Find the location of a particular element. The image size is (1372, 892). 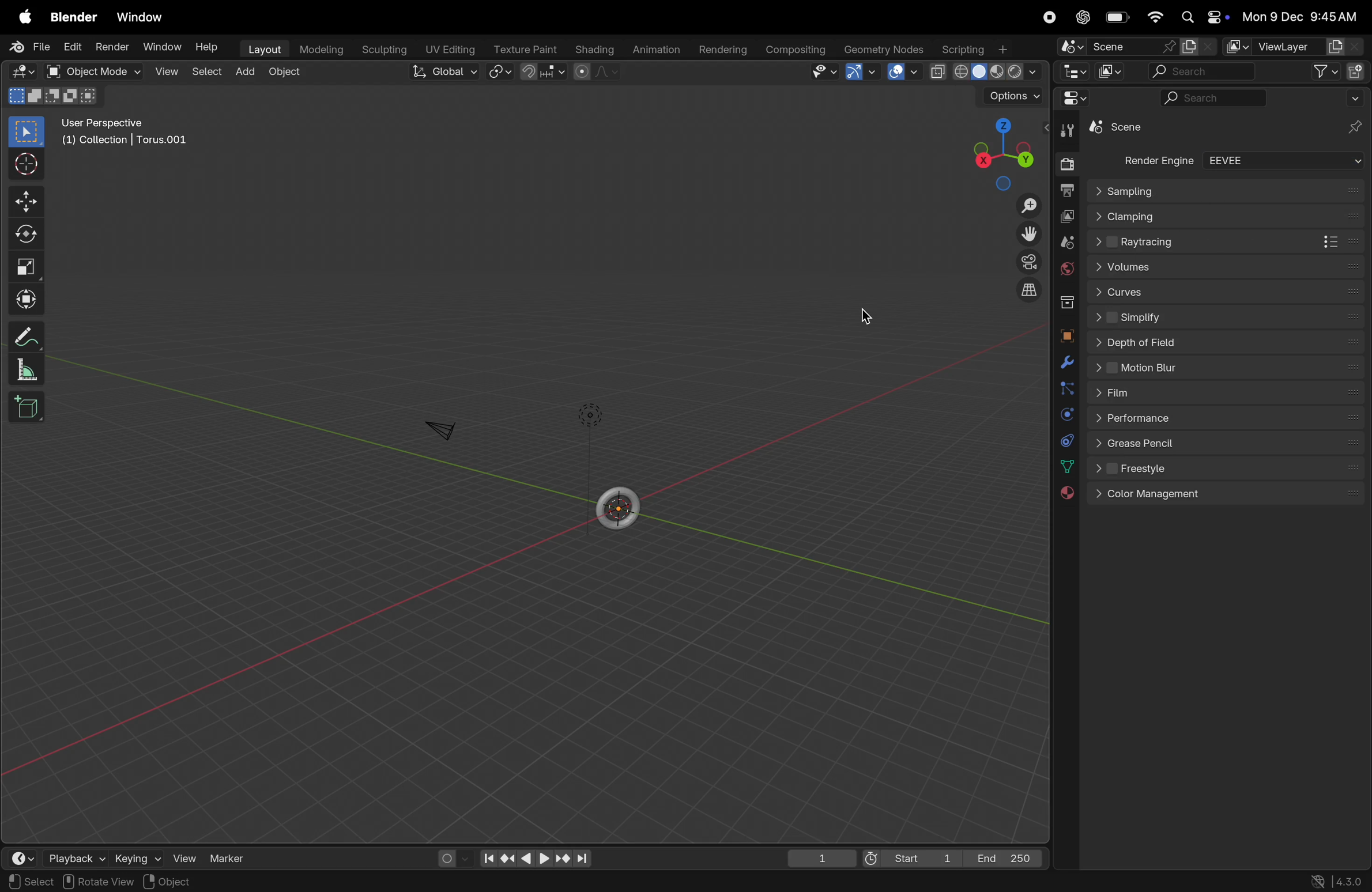

sculpting is located at coordinates (382, 47).